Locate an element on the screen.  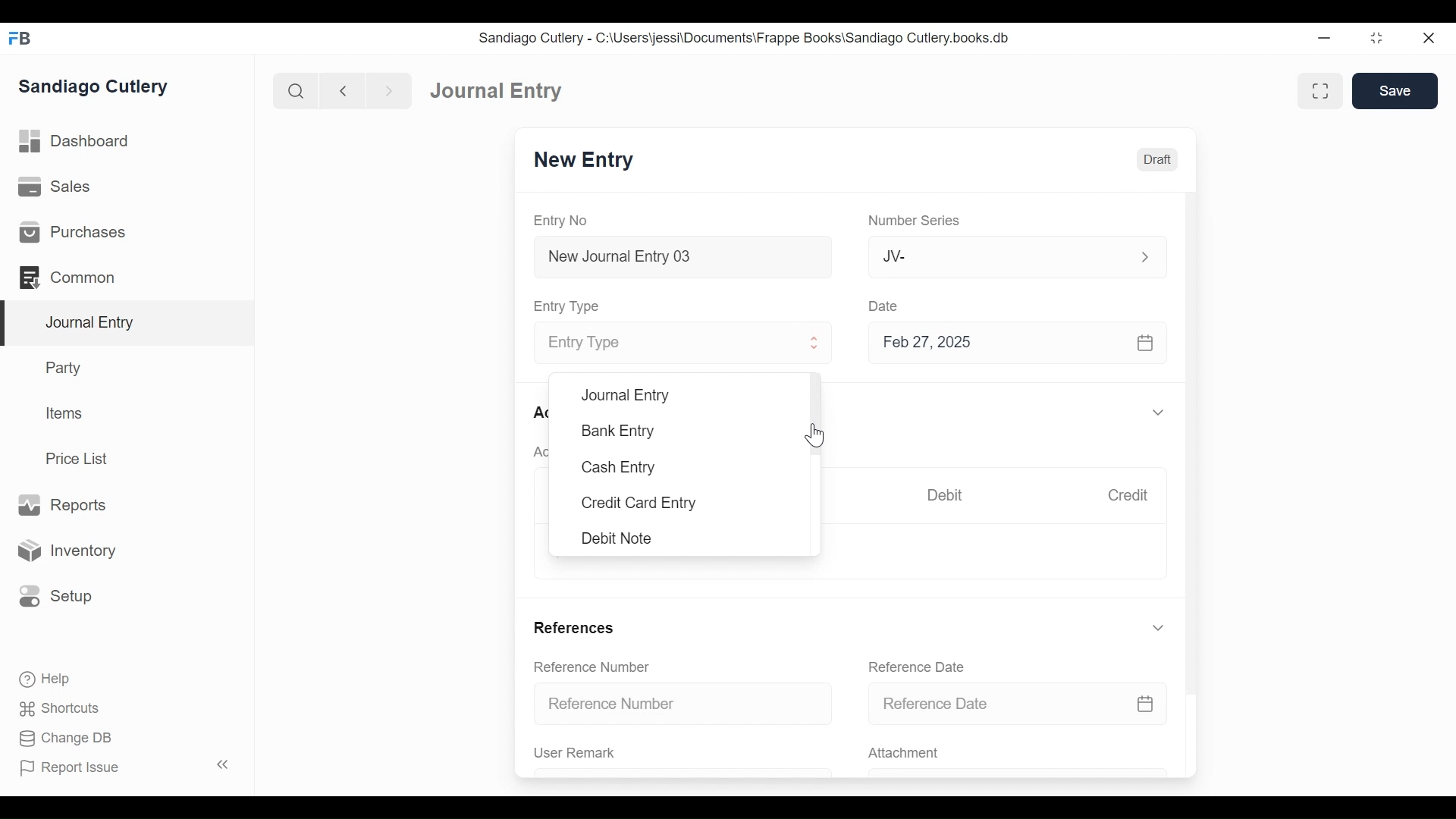
Close is located at coordinates (1427, 38).